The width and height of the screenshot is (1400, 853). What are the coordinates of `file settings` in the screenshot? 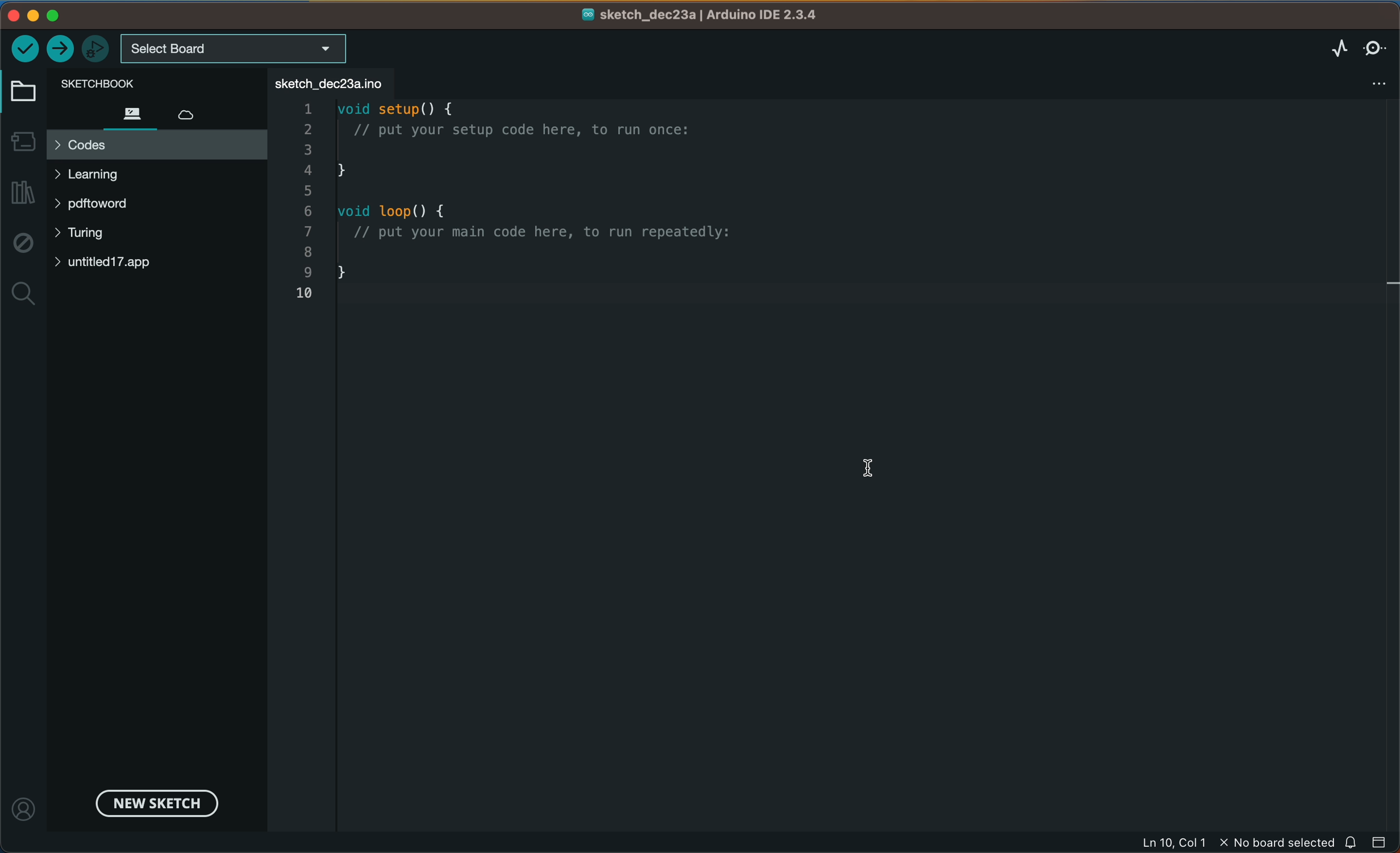 It's located at (1361, 81).